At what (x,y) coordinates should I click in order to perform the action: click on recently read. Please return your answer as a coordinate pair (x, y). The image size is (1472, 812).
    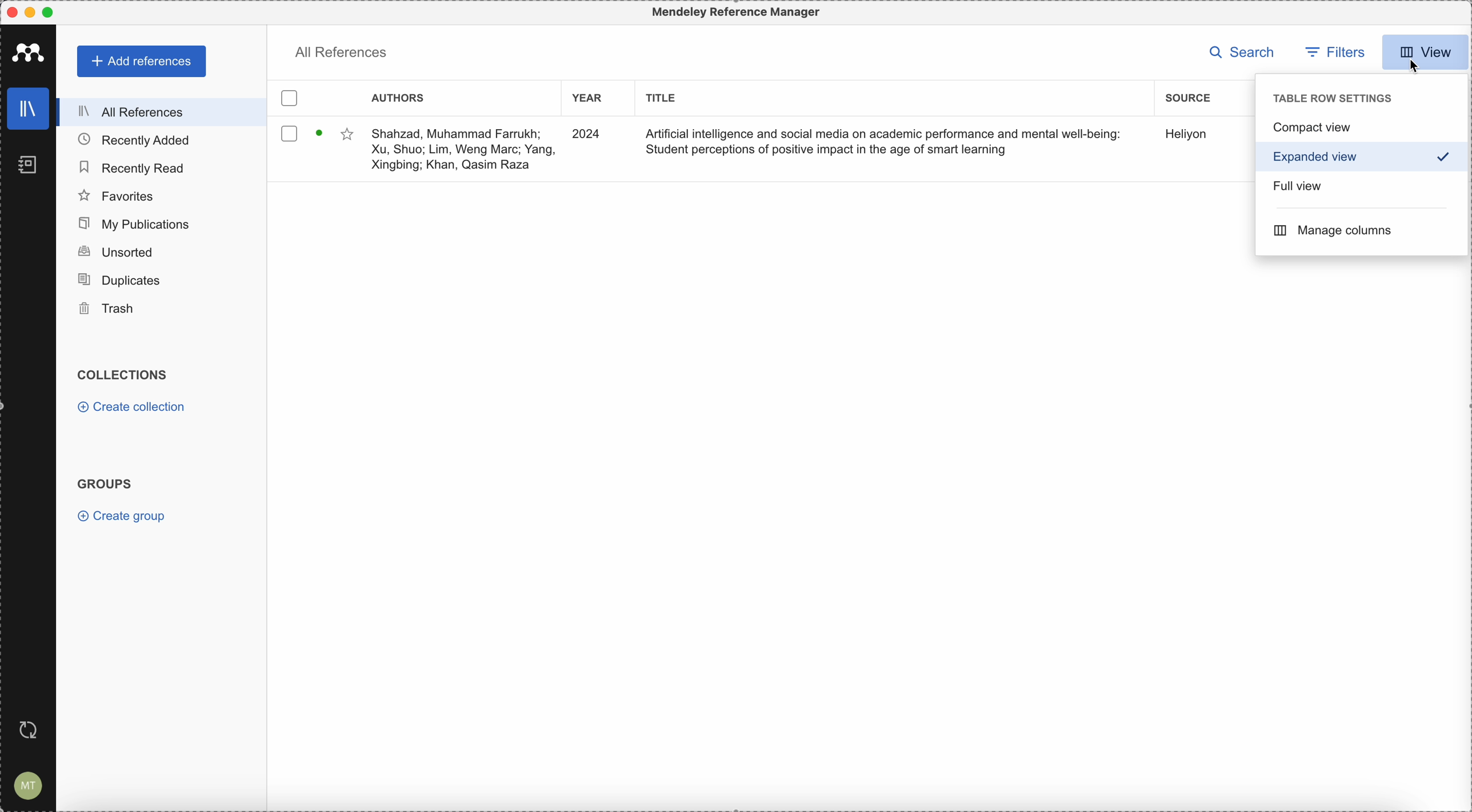
    Looking at the image, I should click on (133, 167).